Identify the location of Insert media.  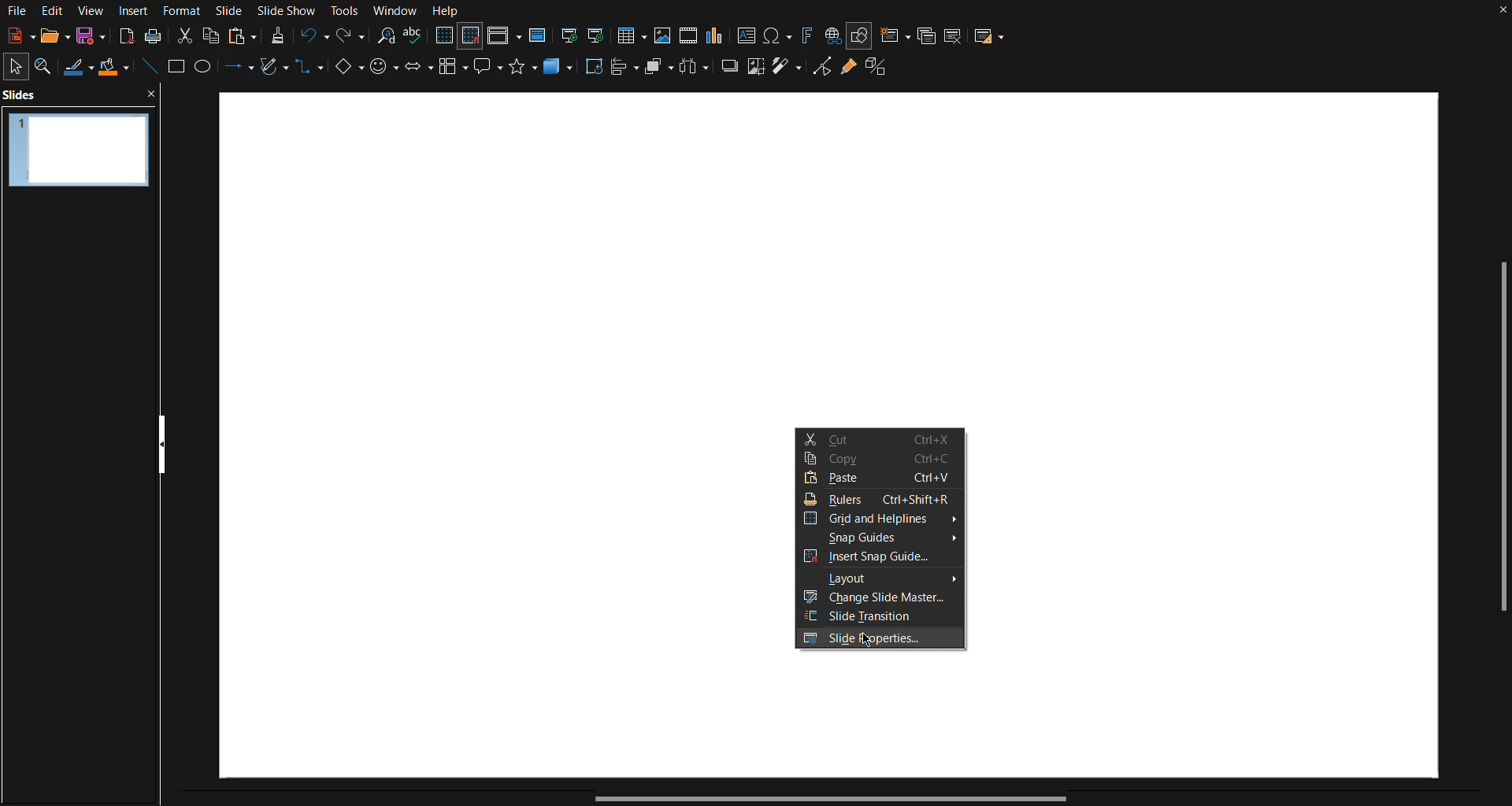
(688, 35).